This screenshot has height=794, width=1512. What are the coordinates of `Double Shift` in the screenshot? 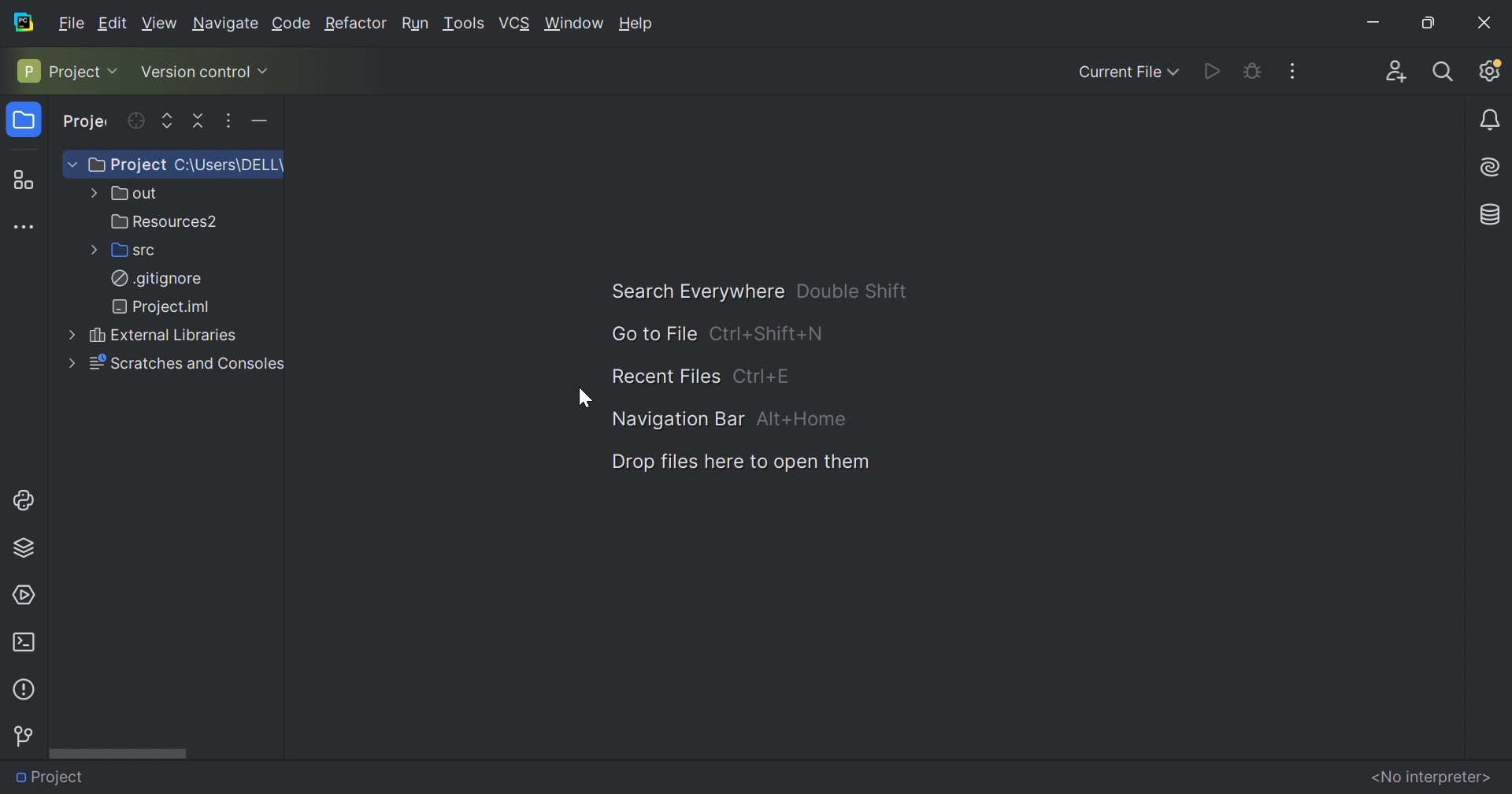 It's located at (849, 288).